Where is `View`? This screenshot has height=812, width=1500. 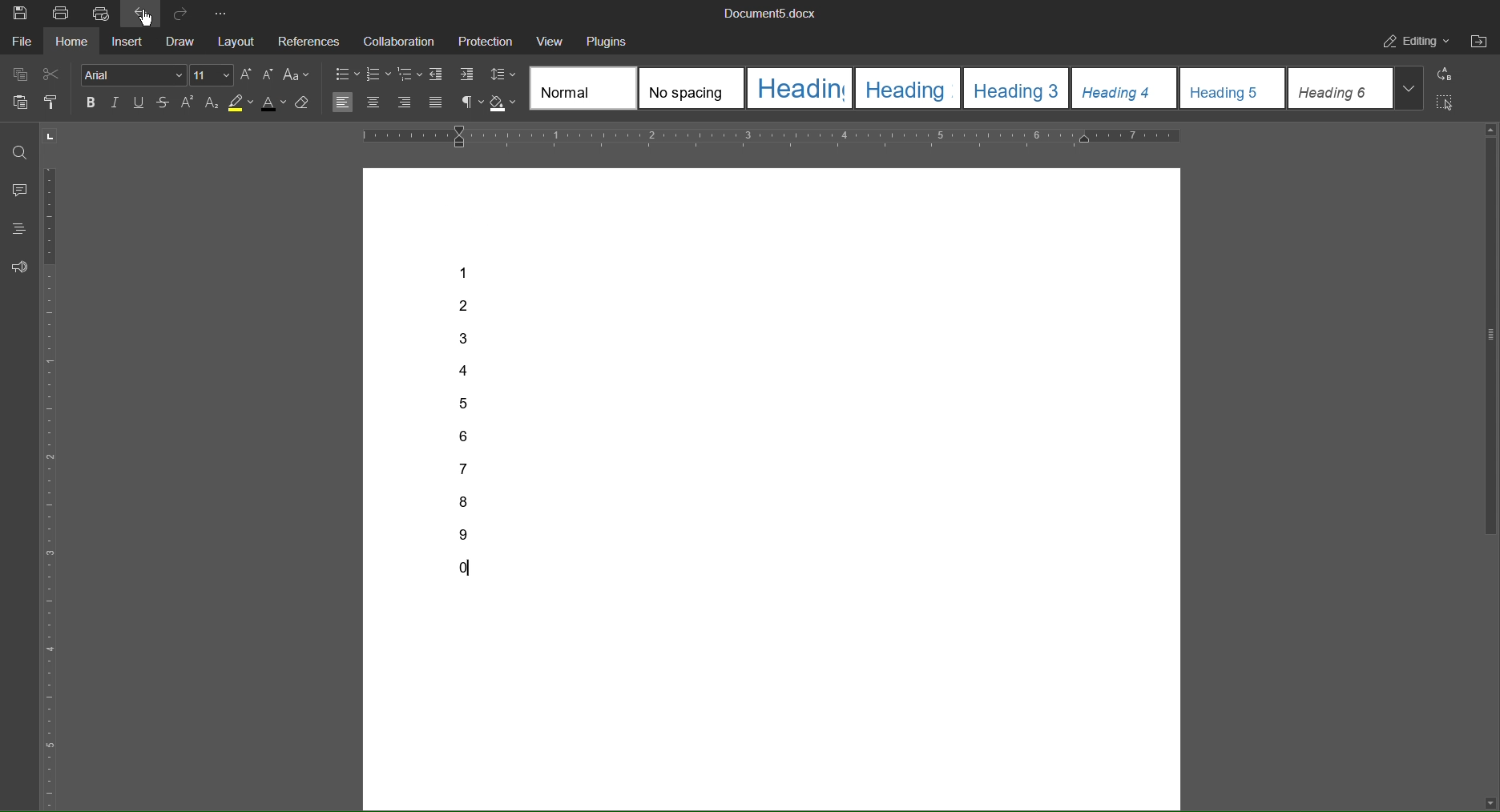 View is located at coordinates (550, 42).